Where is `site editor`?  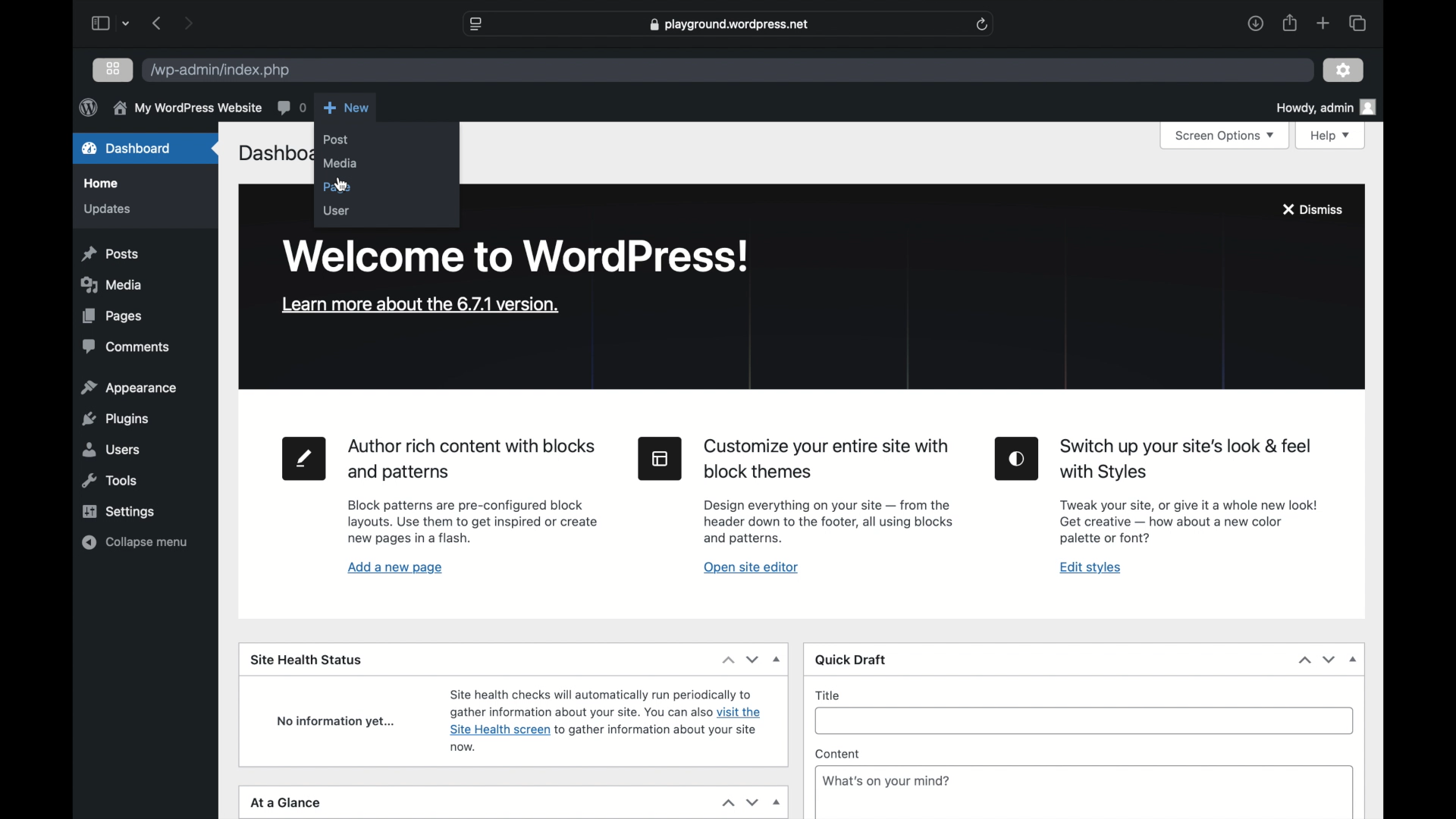 site editor is located at coordinates (661, 459).